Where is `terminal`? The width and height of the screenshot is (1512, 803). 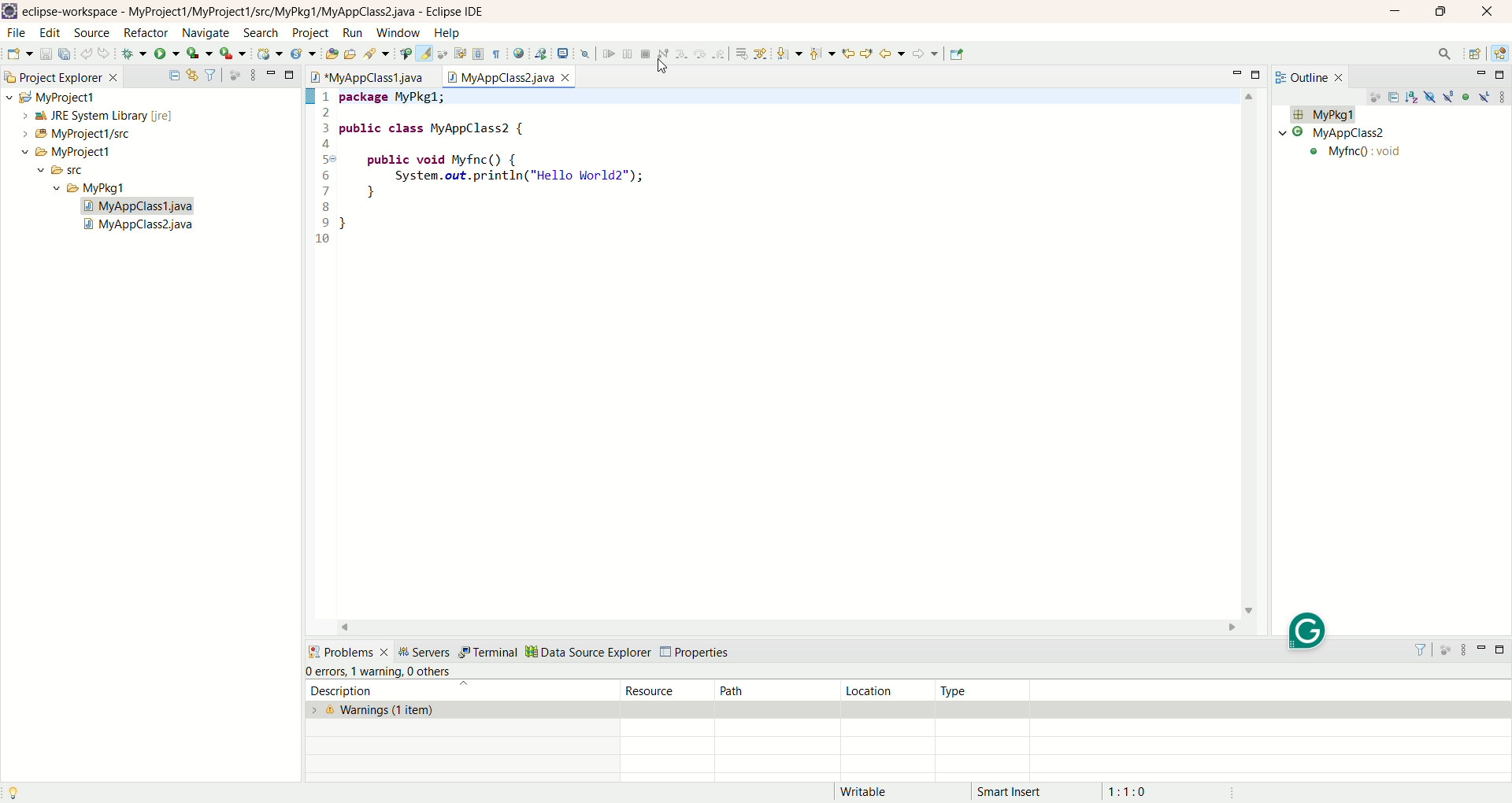 terminal is located at coordinates (487, 653).